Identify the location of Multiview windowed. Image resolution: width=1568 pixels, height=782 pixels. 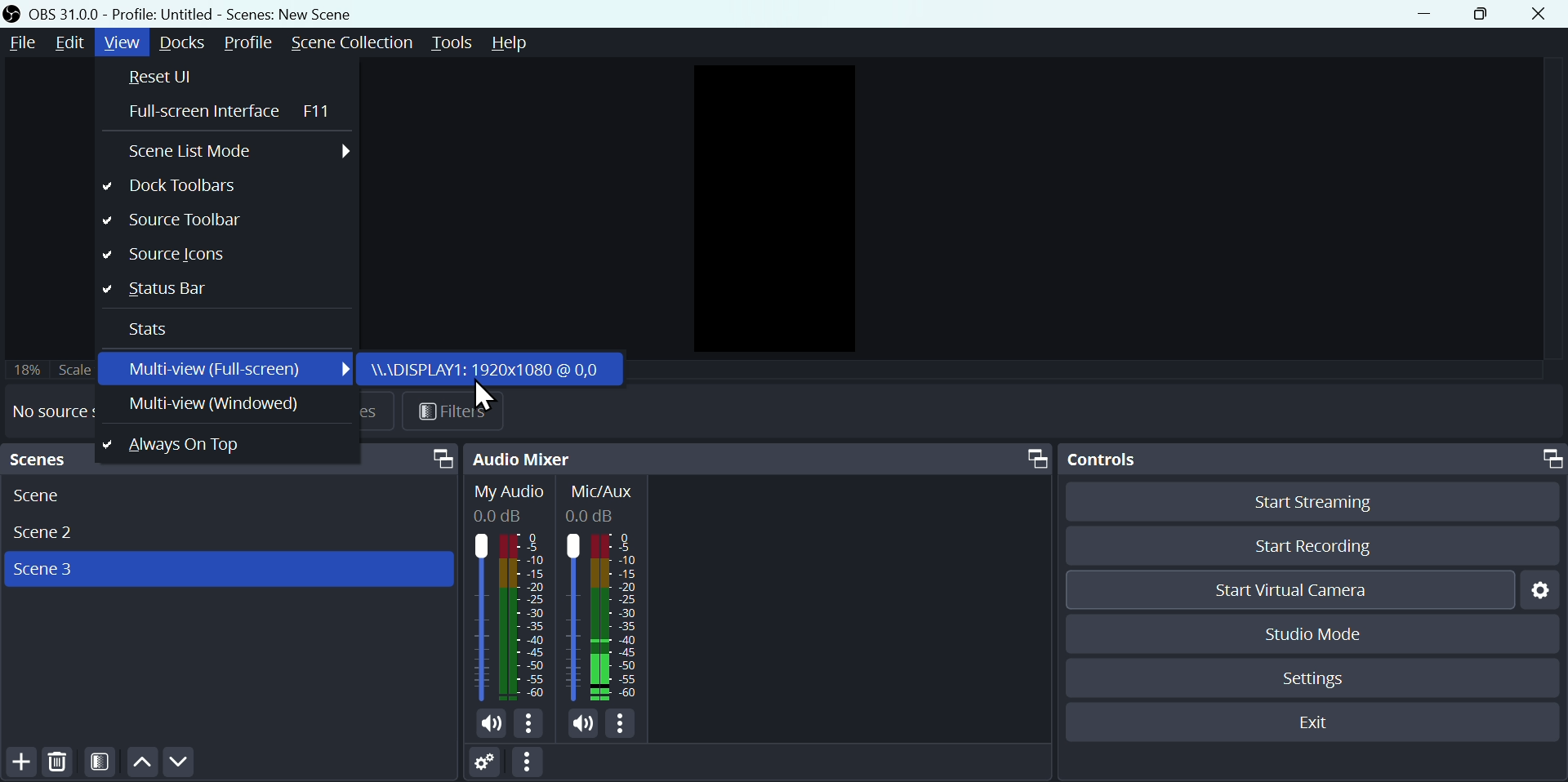
(216, 403).